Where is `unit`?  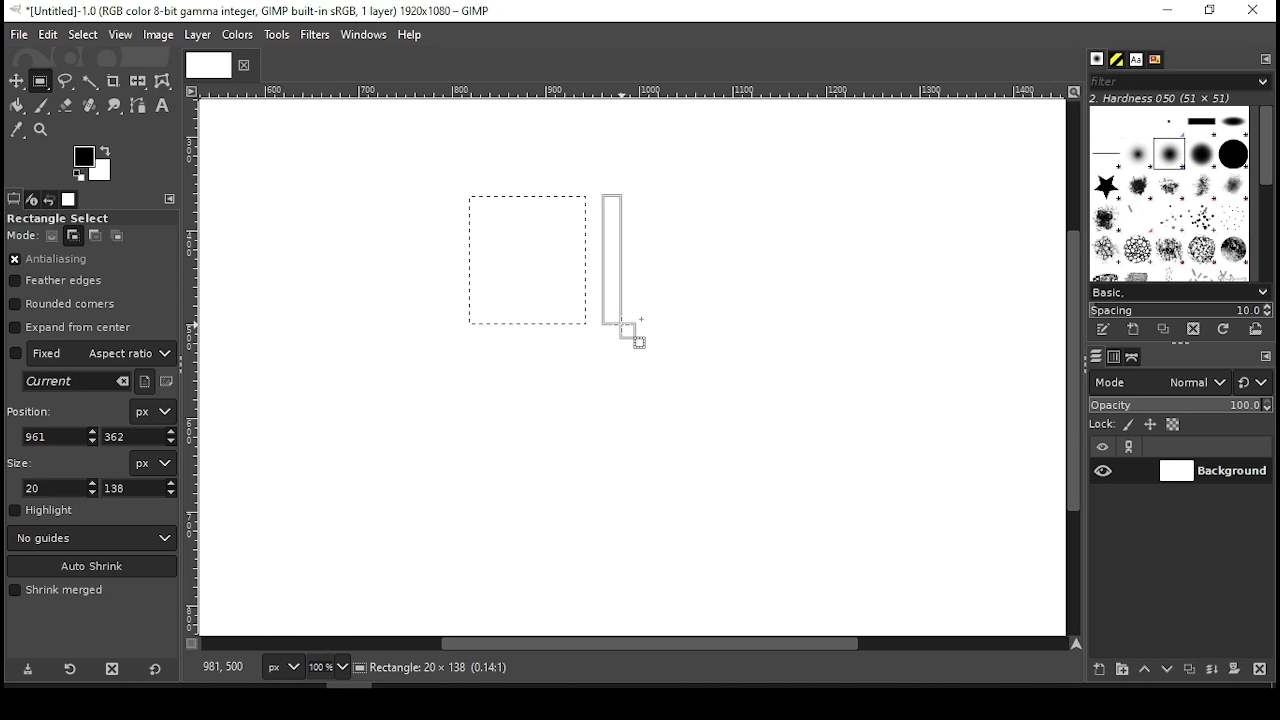 unit is located at coordinates (154, 412).